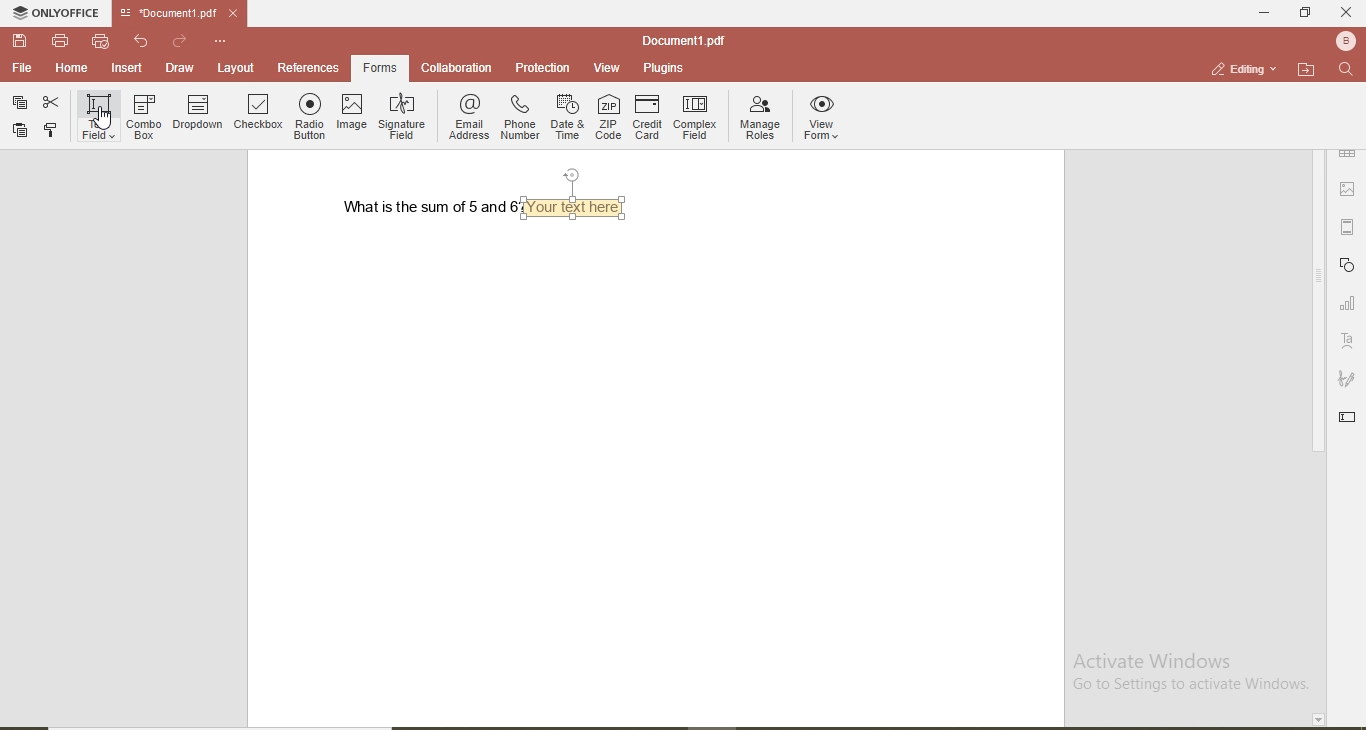  I want to click on radio button, so click(309, 115).